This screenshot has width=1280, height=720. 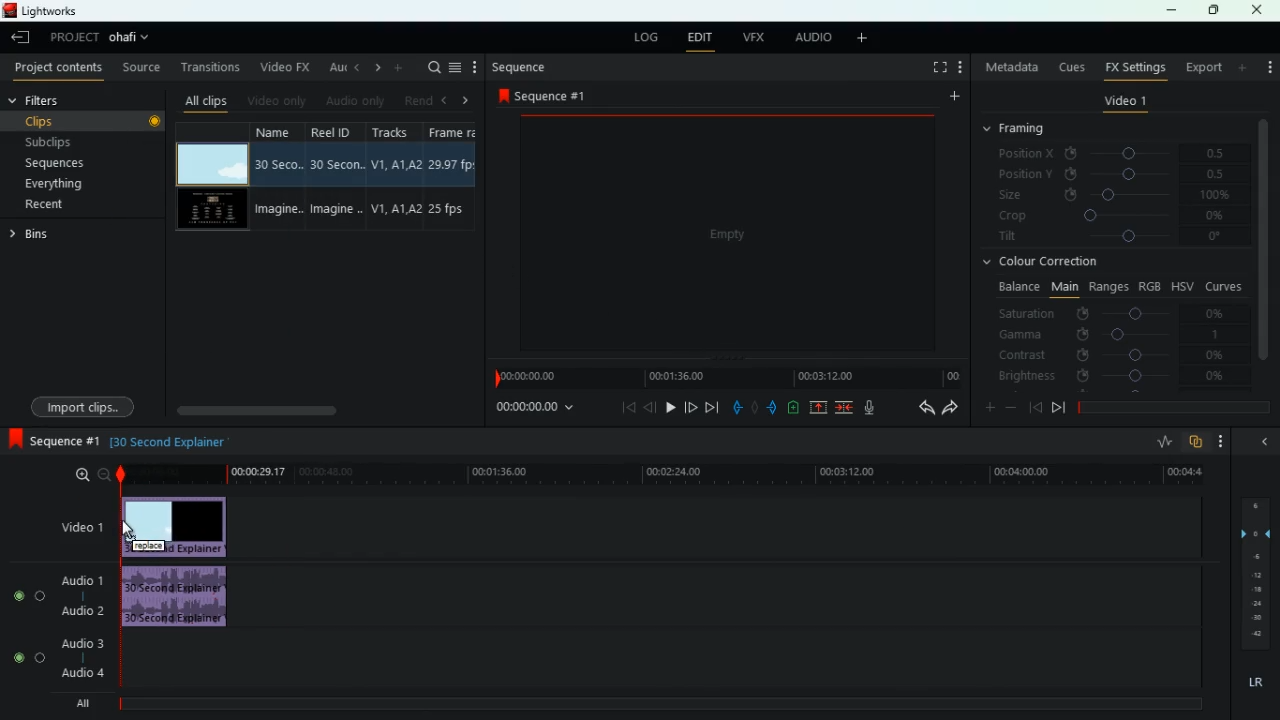 What do you see at coordinates (82, 141) in the screenshot?
I see `subclips` at bounding box center [82, 141].